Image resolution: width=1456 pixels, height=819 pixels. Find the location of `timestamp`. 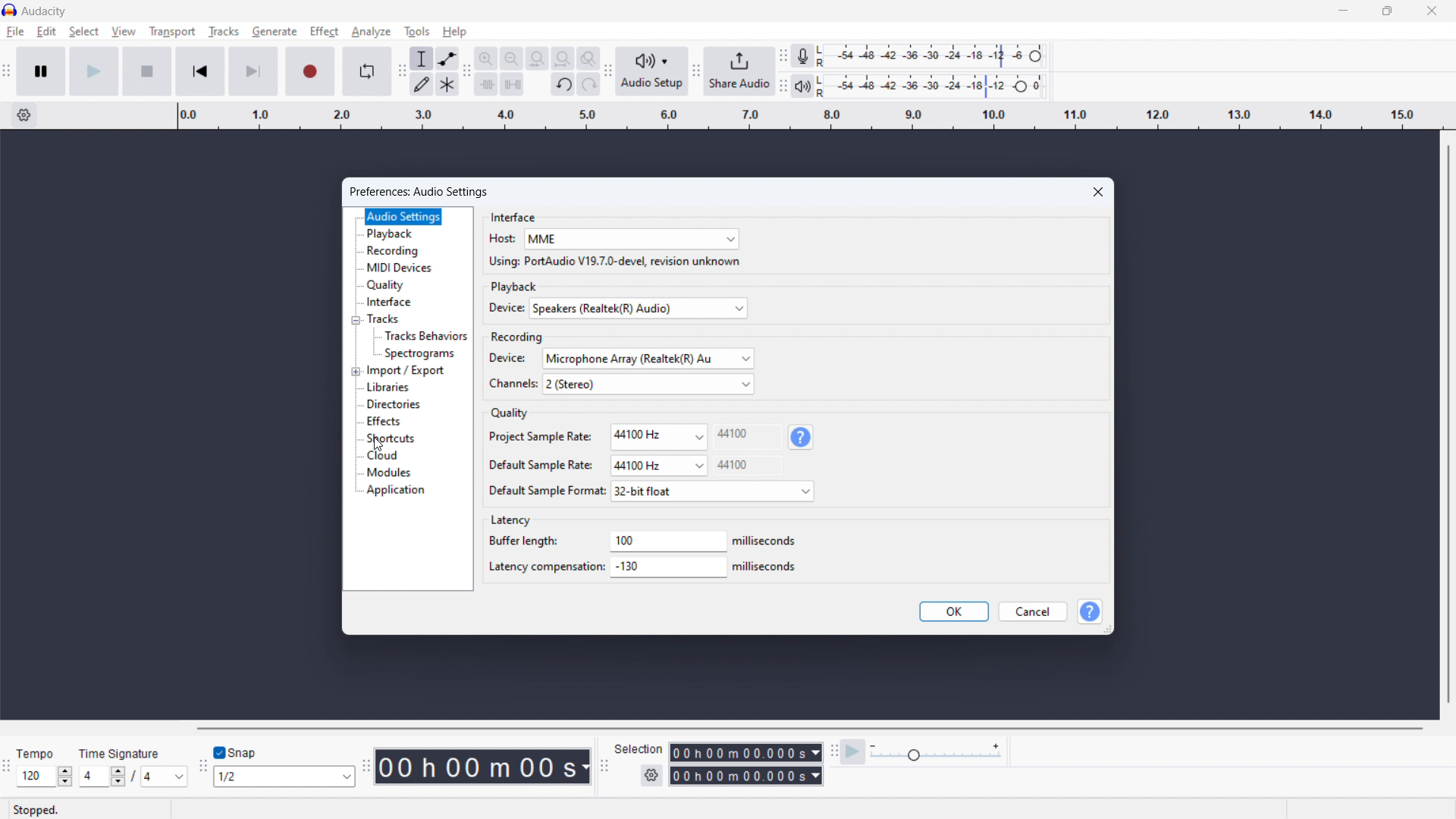

timestamp is located at coordinates (475, 767).